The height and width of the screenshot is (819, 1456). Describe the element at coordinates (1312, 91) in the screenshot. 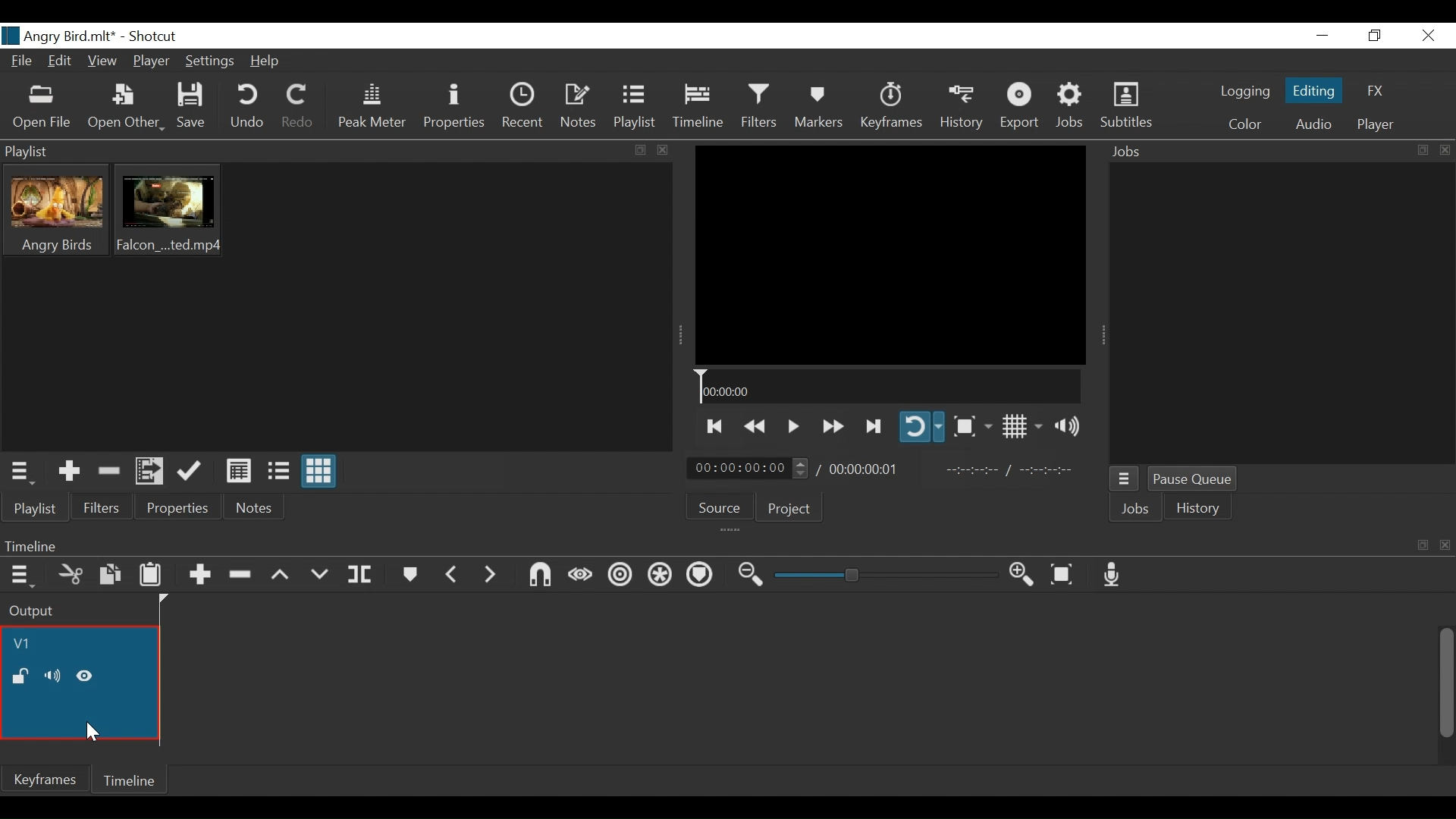

I see `Editing` at that location.